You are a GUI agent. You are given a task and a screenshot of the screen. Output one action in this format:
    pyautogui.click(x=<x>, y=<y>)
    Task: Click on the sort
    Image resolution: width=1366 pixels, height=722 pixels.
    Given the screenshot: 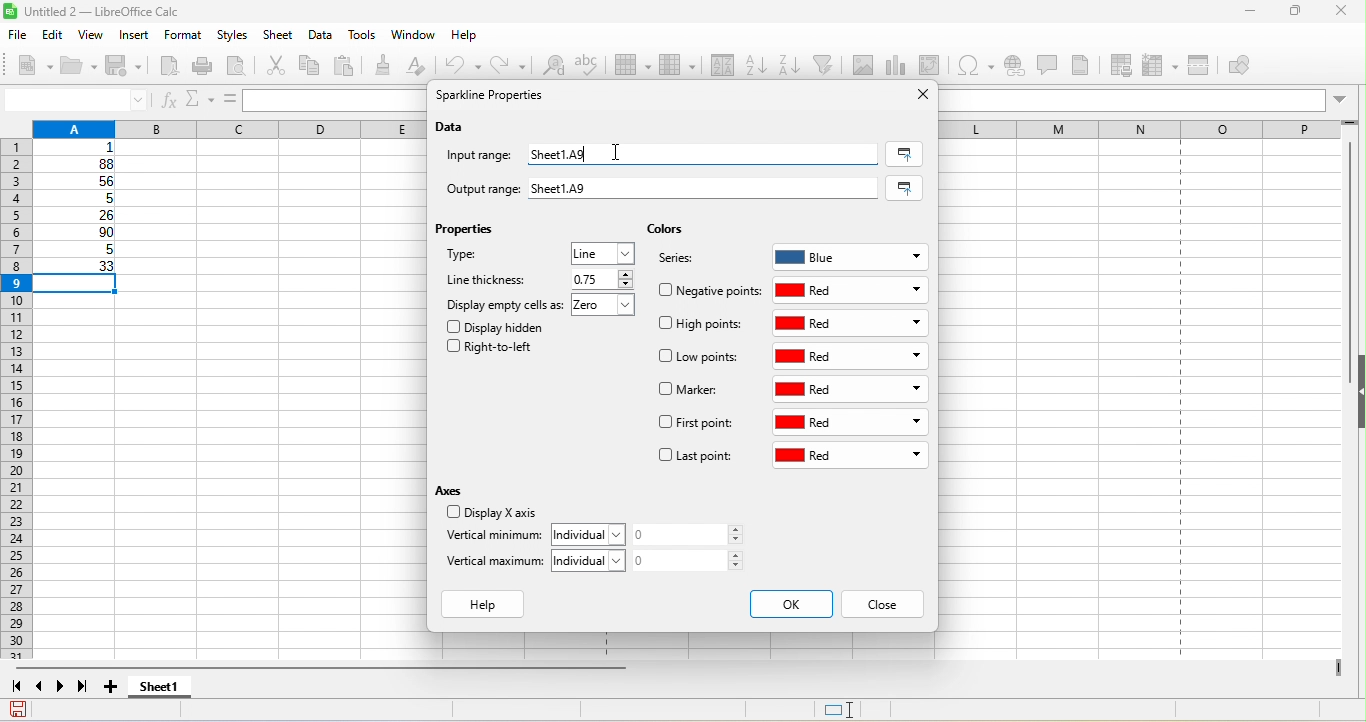 What is the action you would take?
    pyautogui.click(x=724, y=65)
    